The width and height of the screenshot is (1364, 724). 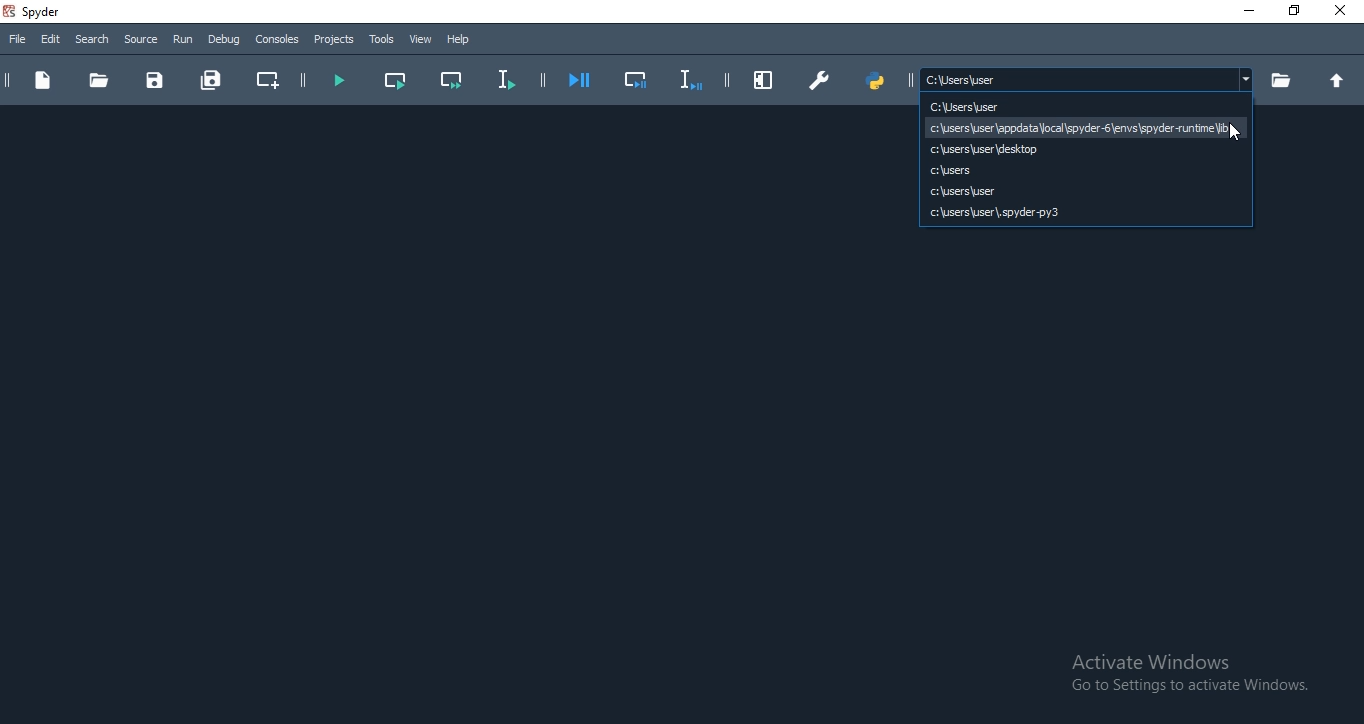 What do you see at coordinates (210, 77) in the screenshot?
I see `save all` at bounding box center [210, 77].